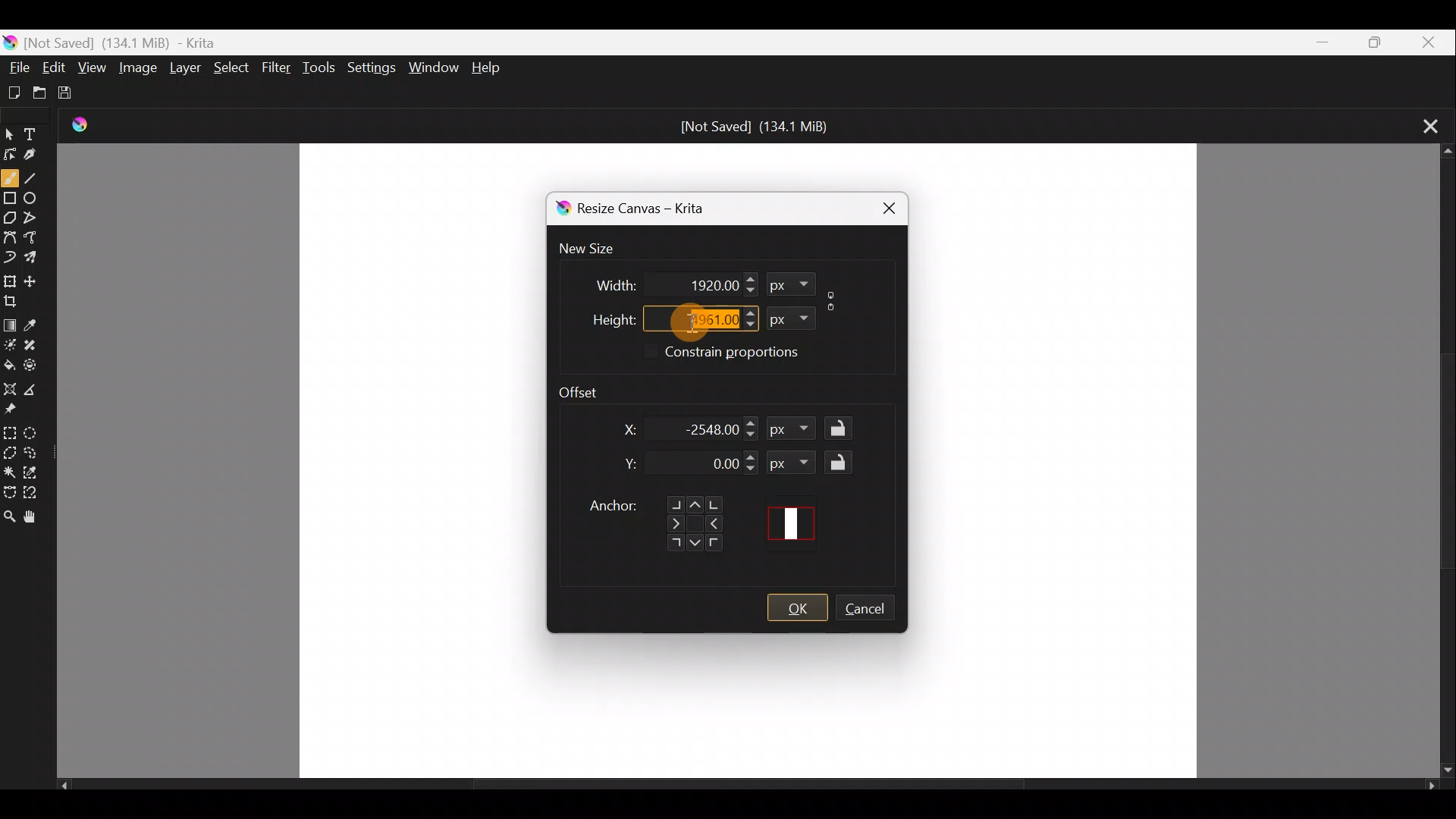 This screenshot has width=1456, height=819. Describe the element at coordinates (710, 428) in the screenshot. I see `-2548.00` at that location.